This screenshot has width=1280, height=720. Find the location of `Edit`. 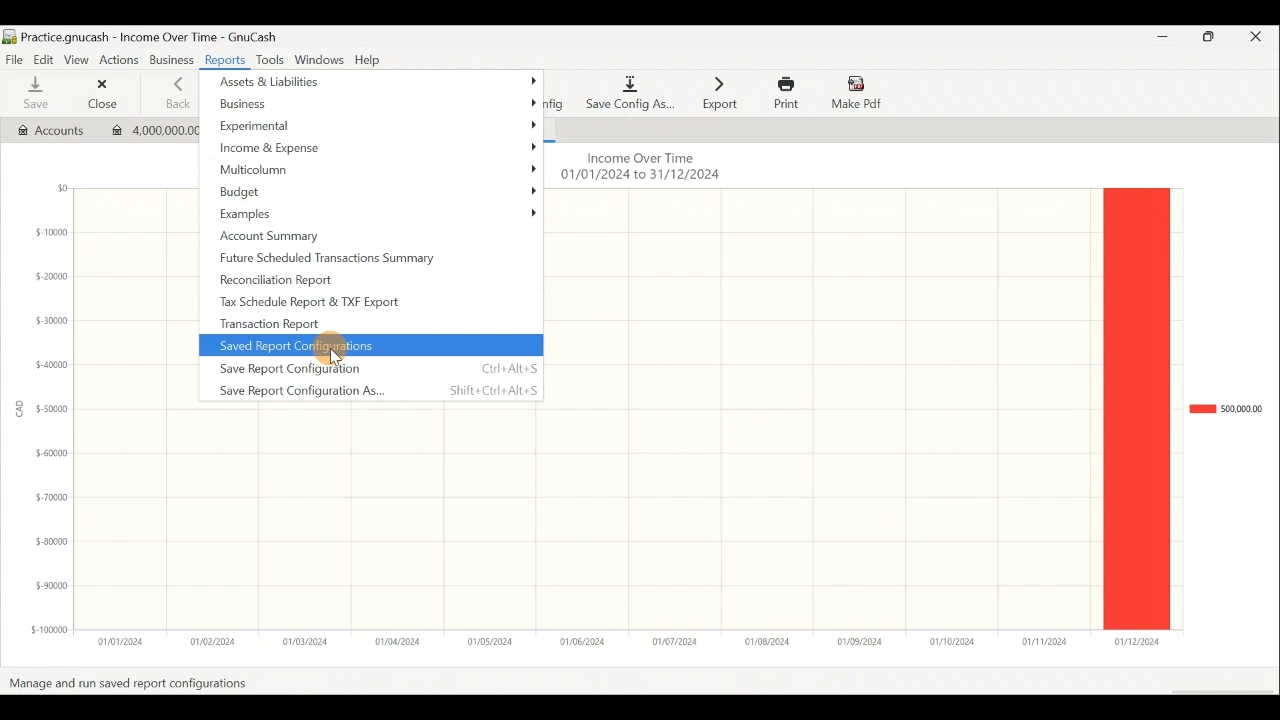

Edit is located at coordinates (40, 58).